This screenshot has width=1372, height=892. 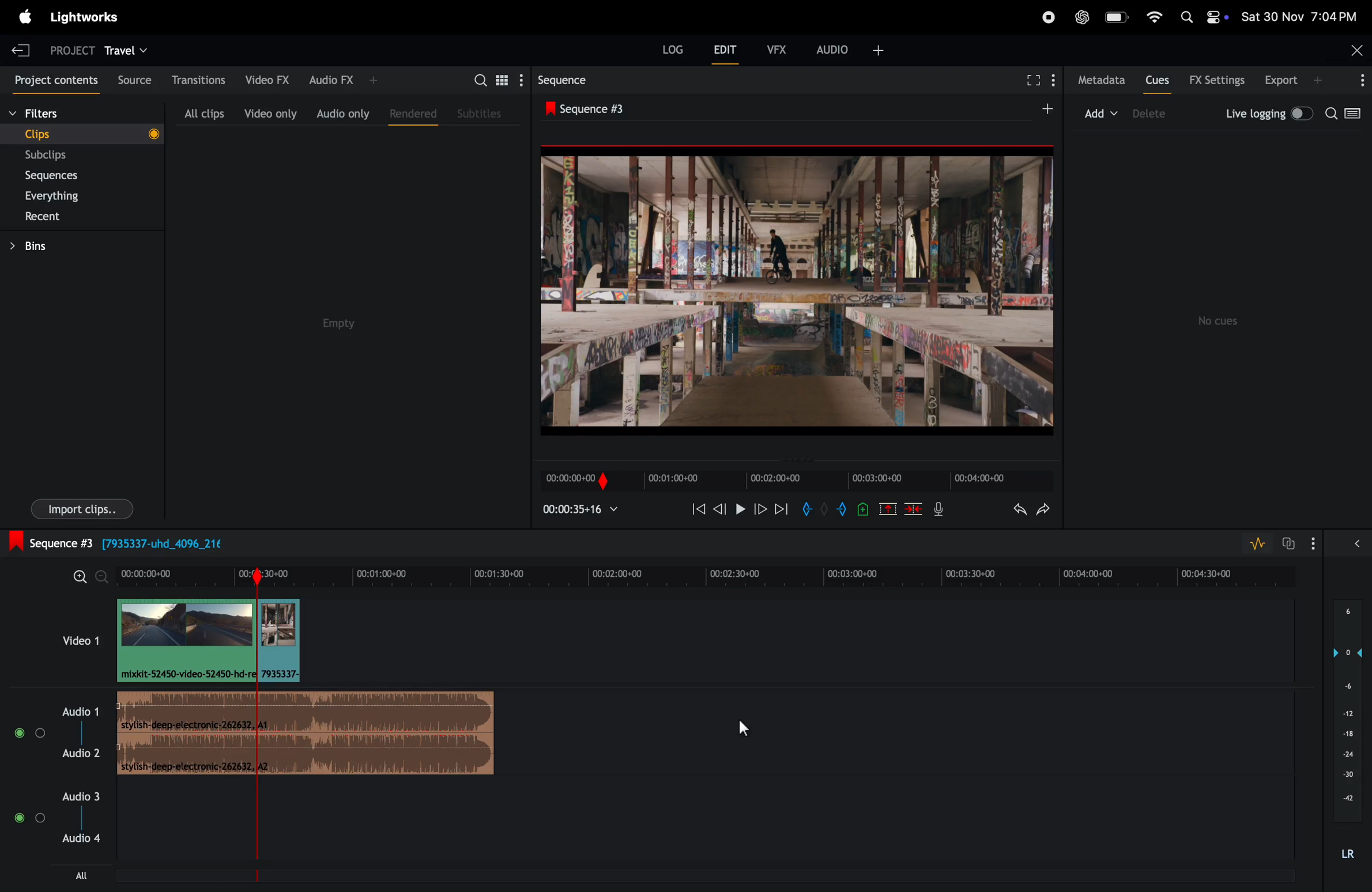 What do you see at coordinates (1097, 81) in the screenshot?
I see `metadata` at bounding box center [1097, 81].